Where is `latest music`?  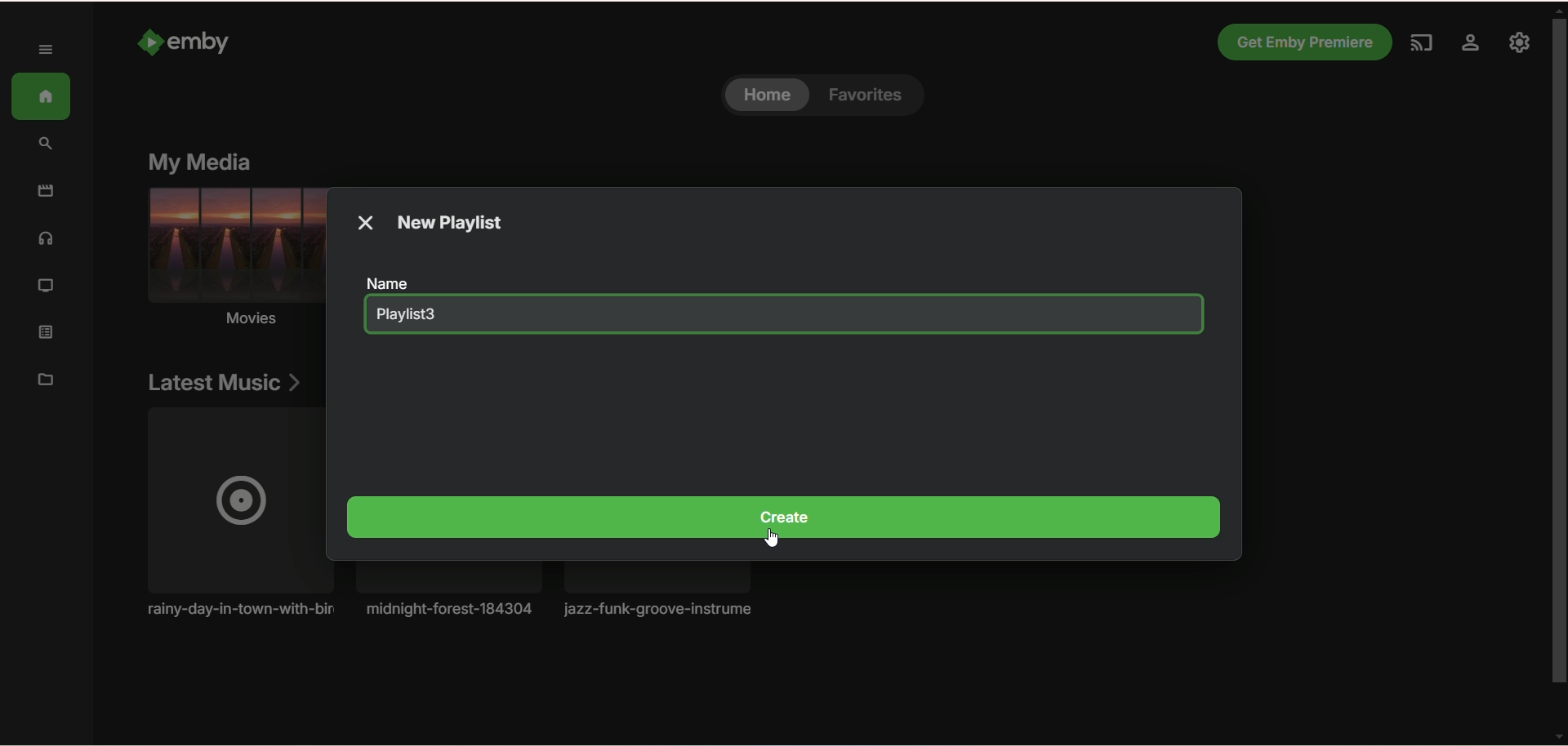 latest music is located at coordinates (224, 384).